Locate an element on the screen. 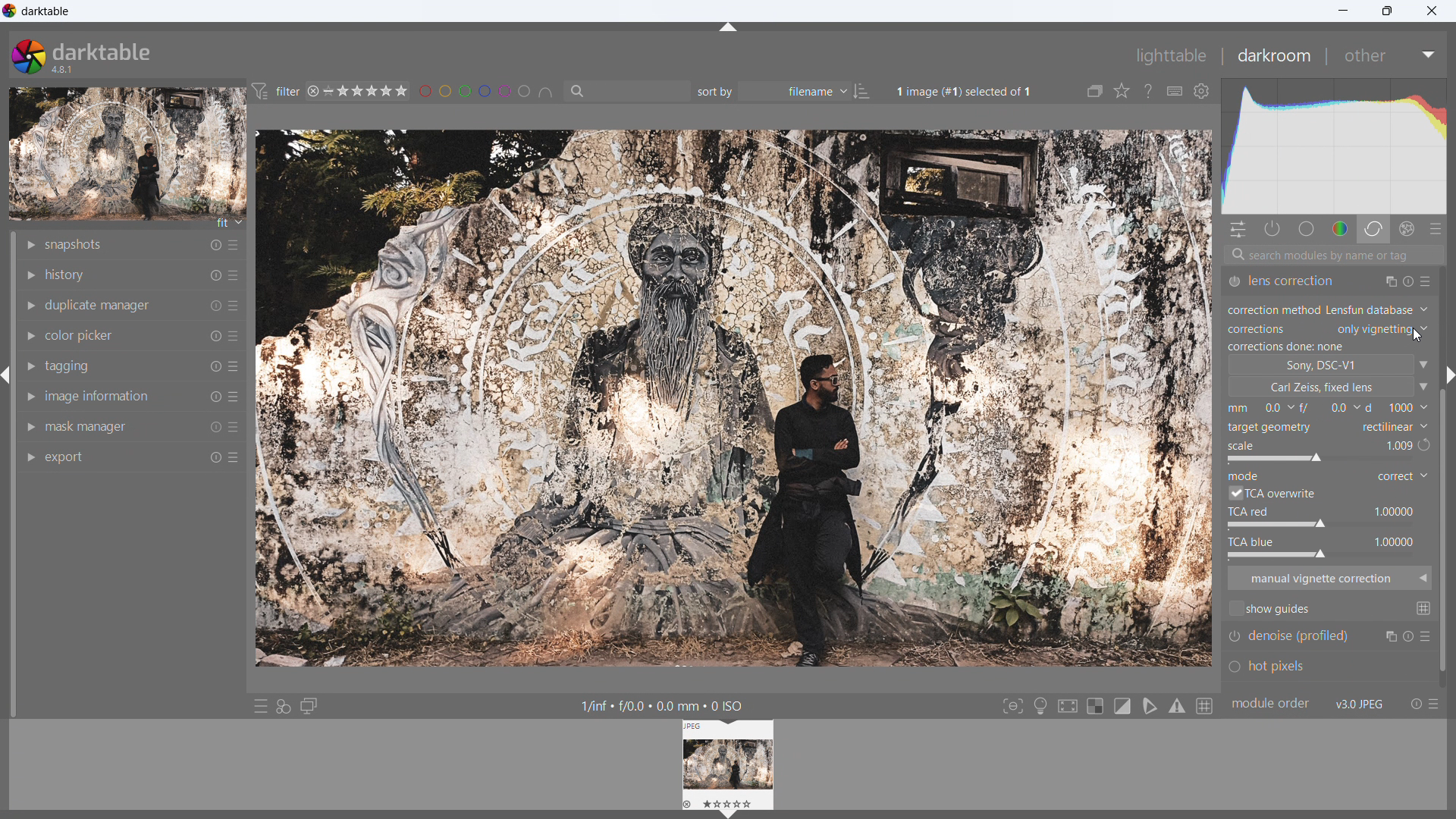 Image resolution: width=1456 pixels, height=819 pixels. camera type is located at coordinates (1330, 365).